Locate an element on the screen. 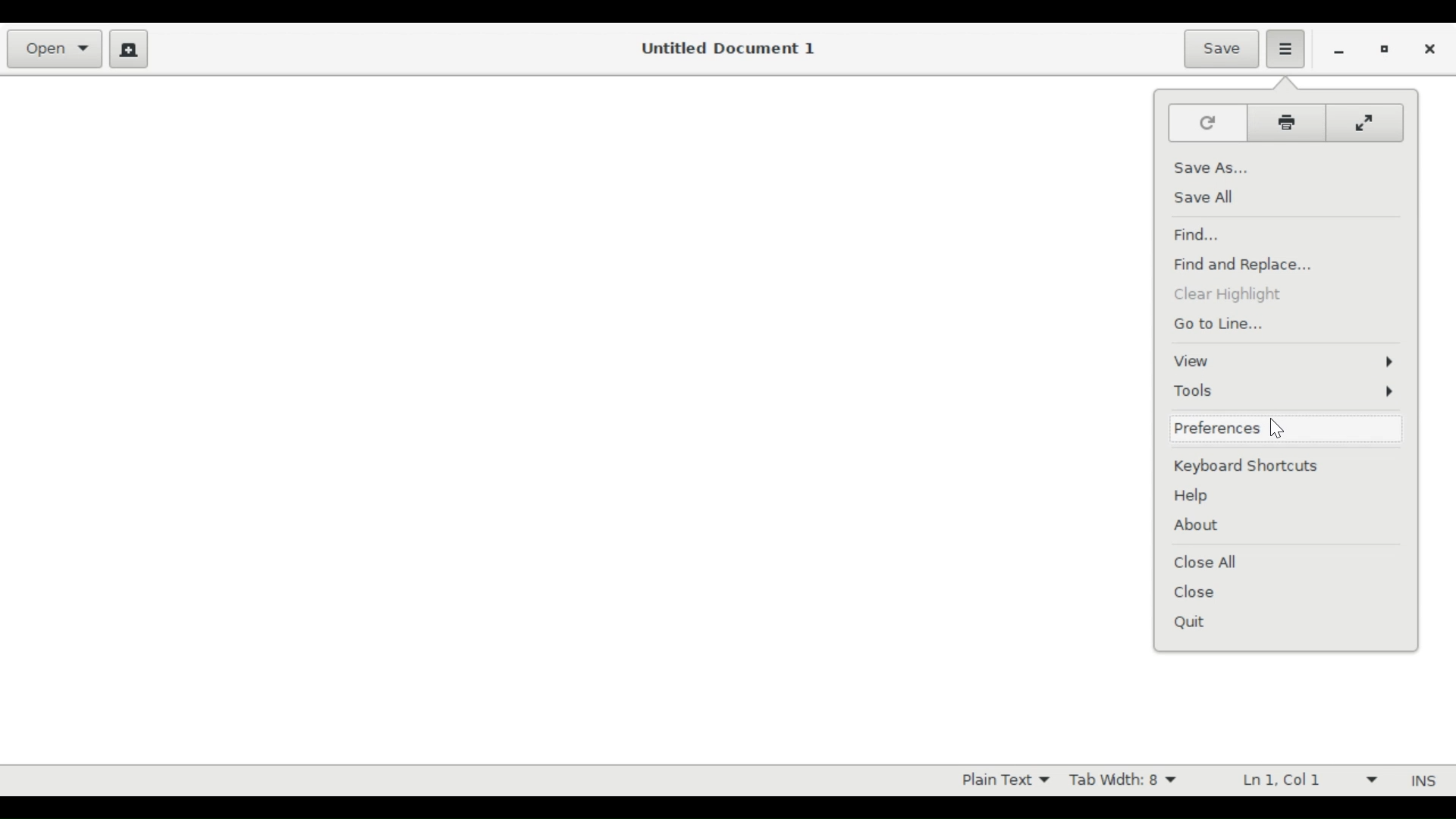 The height and width of the screenshot is (819, 1456). Help is located at coordinates (1194, 495).